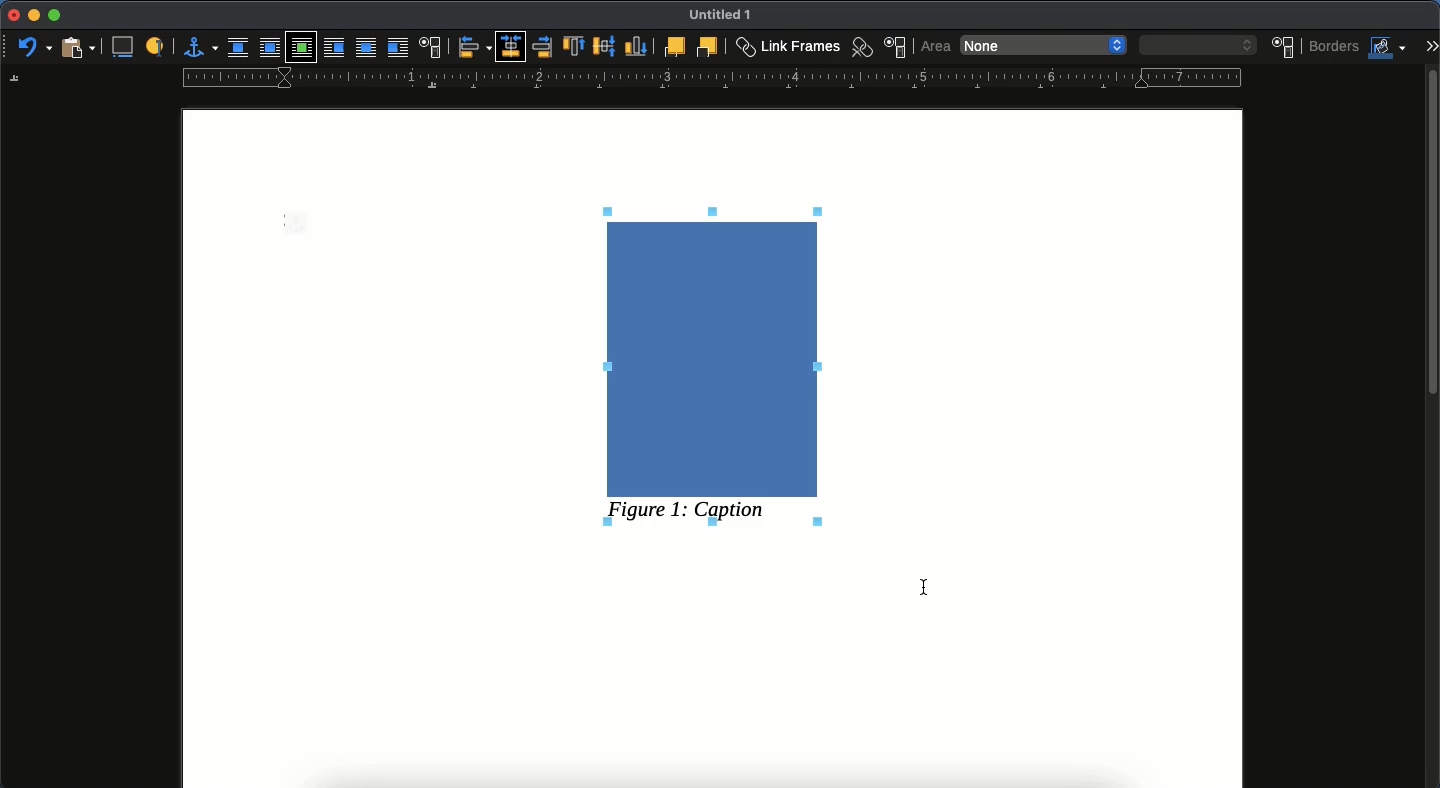 This screenshot has width=1440, height=788. I want to click on unlink frames, so click(859, 47).